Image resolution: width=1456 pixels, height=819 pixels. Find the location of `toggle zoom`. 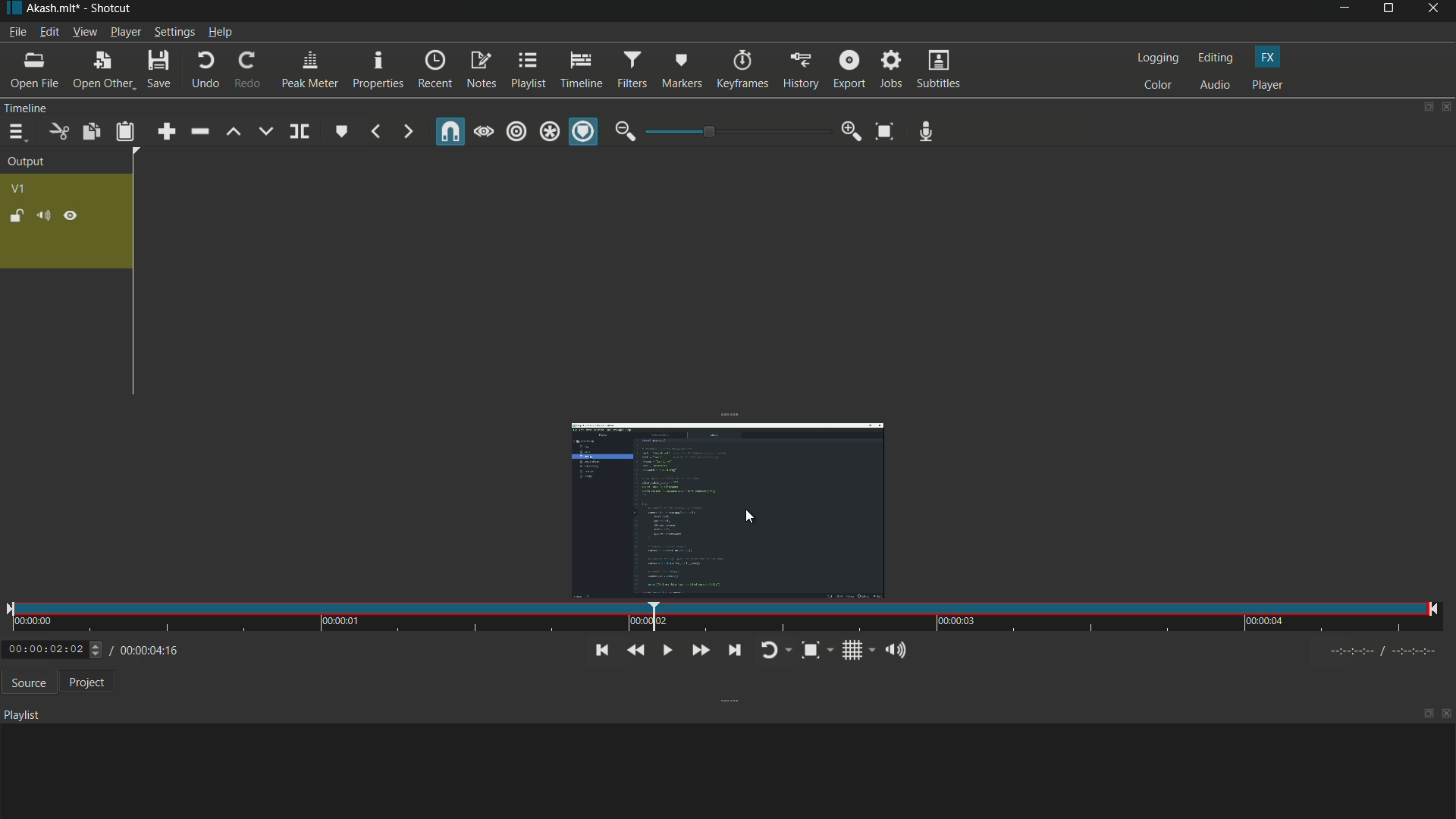

toggle zoom is located at coordinates (816, 650).